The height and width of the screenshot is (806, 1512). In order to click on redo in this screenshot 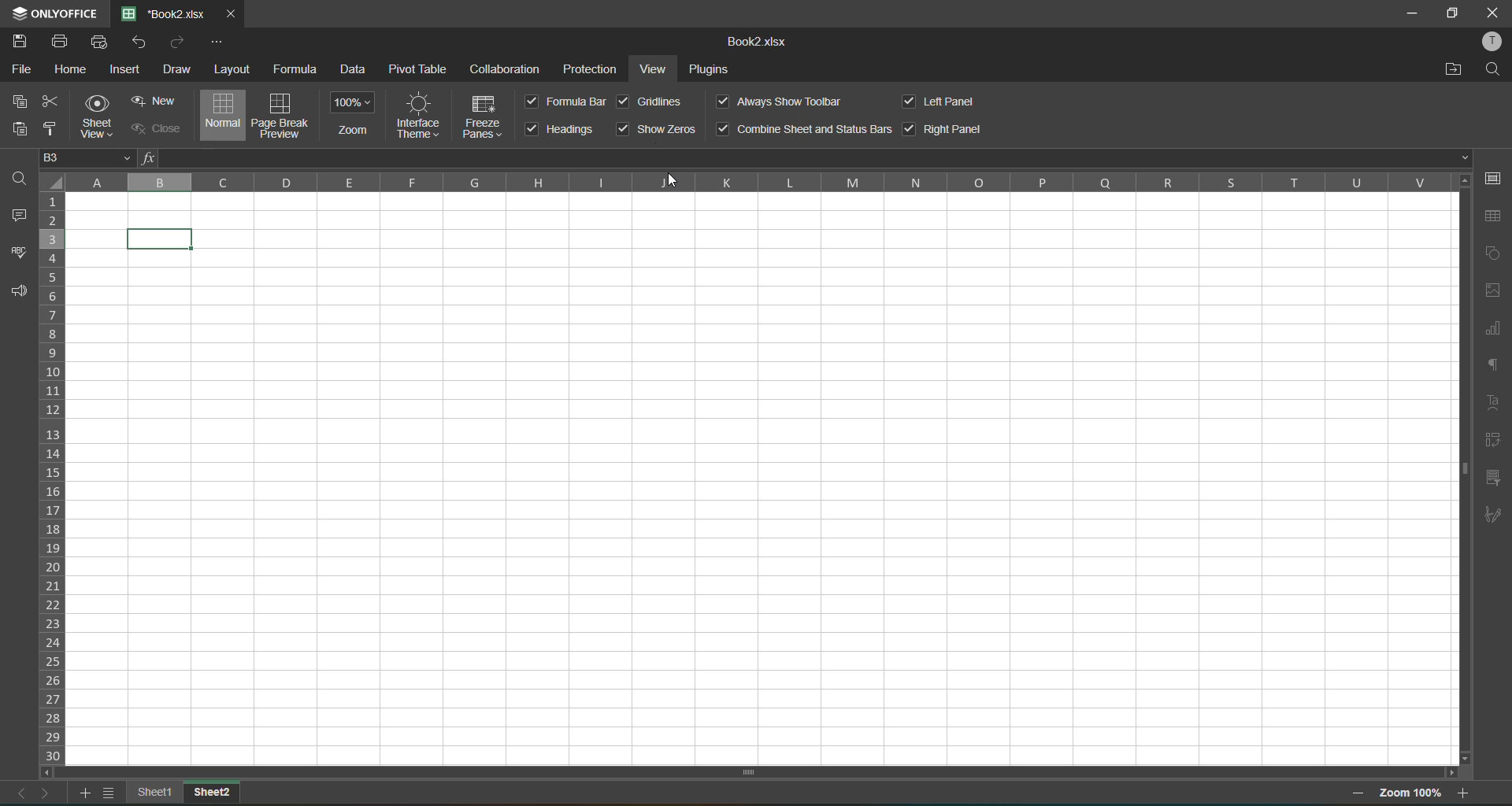, I will do `click(176, 41)`.